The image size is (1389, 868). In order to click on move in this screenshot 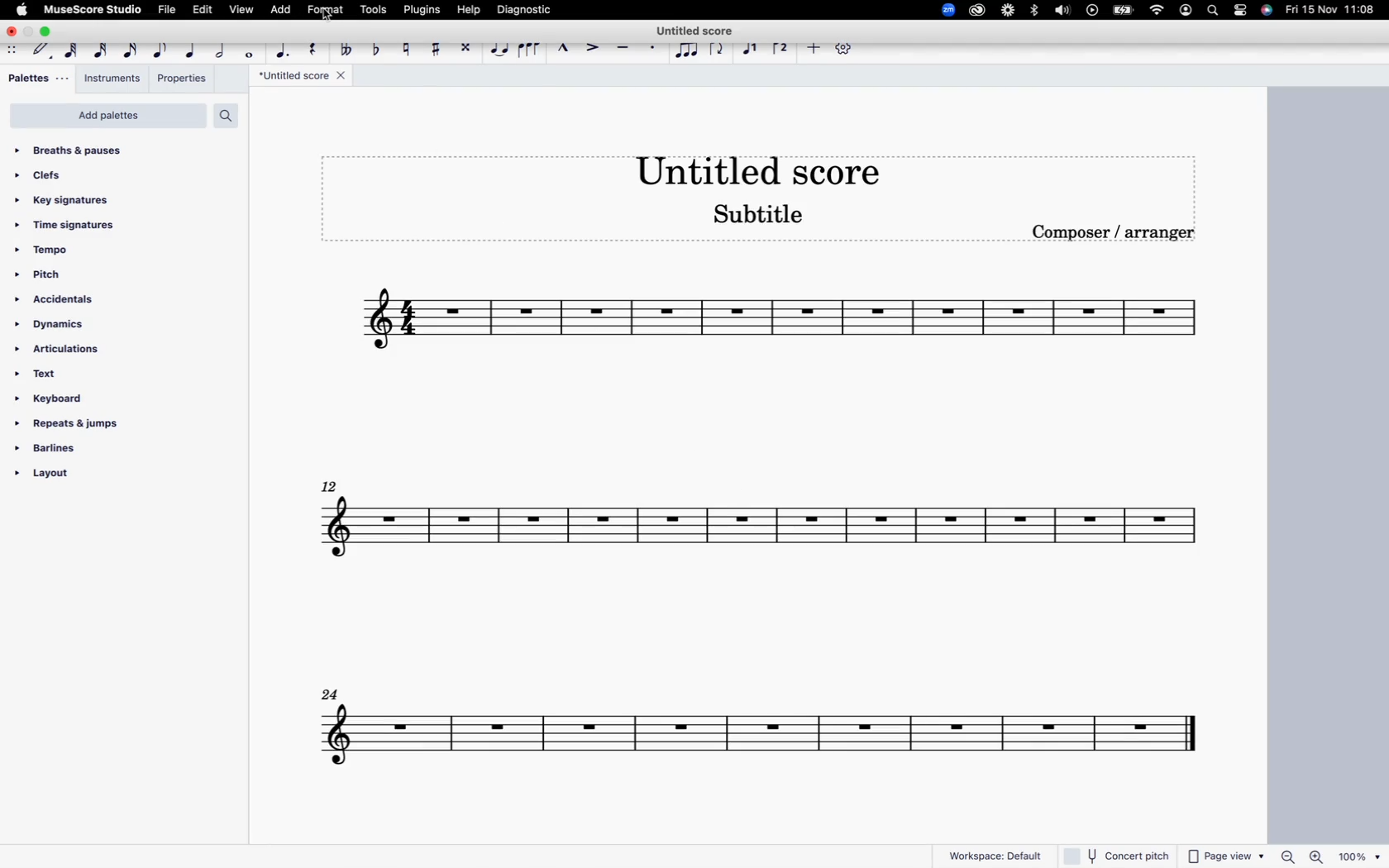, I will do `click(12, 51)`.